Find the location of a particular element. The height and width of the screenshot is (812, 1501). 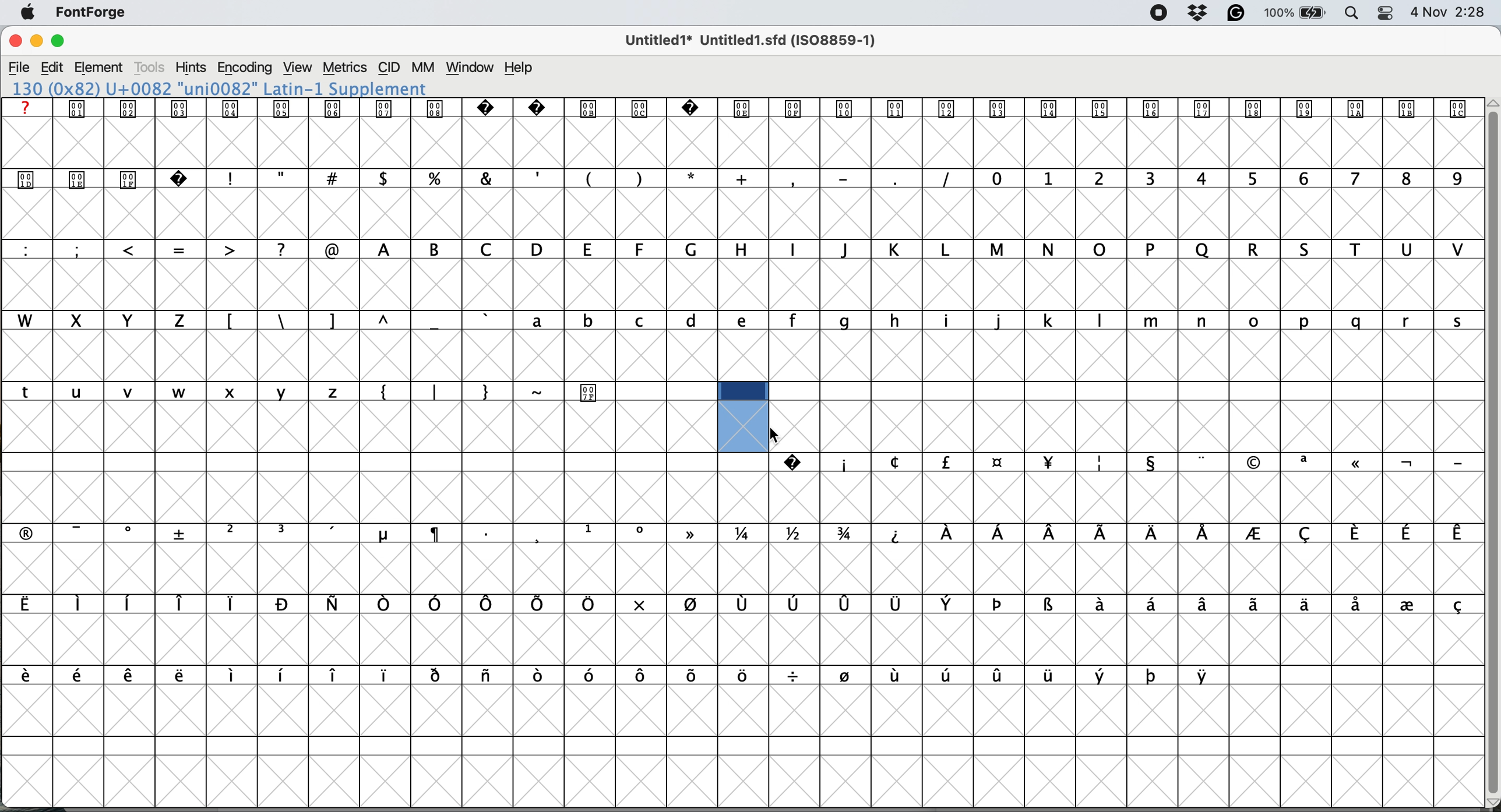

symbols is located at coordinates (1126, 463).